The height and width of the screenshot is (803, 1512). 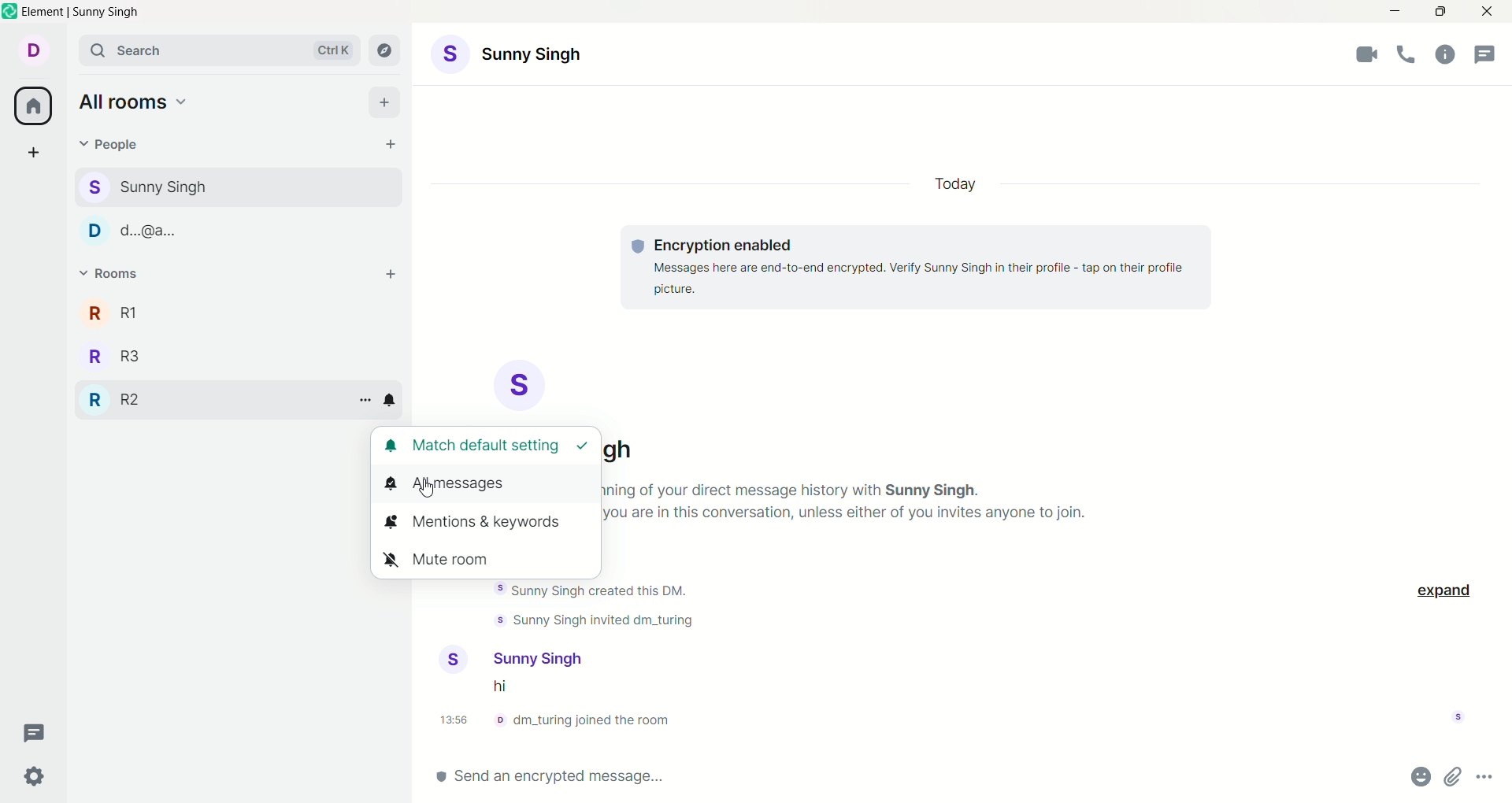 I want to click on R2, so click(x=117, y=396).